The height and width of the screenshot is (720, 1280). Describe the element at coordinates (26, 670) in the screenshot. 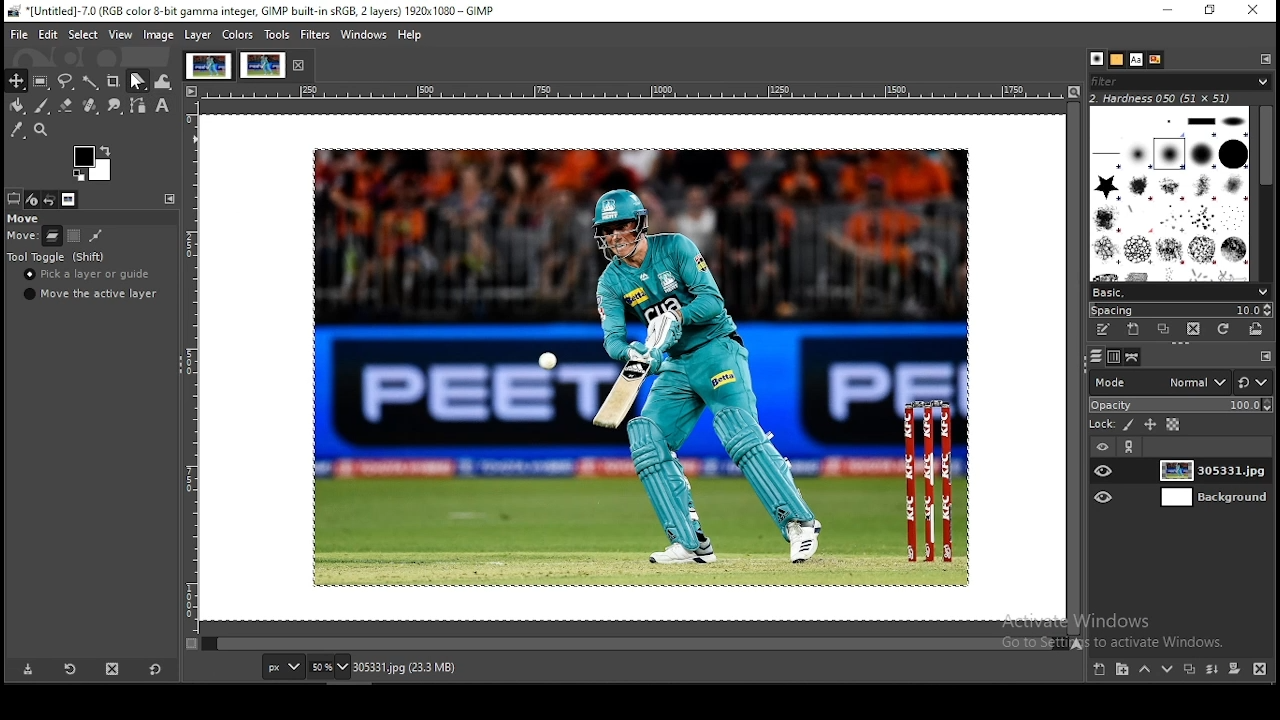

I see `save tool preset` at that location.